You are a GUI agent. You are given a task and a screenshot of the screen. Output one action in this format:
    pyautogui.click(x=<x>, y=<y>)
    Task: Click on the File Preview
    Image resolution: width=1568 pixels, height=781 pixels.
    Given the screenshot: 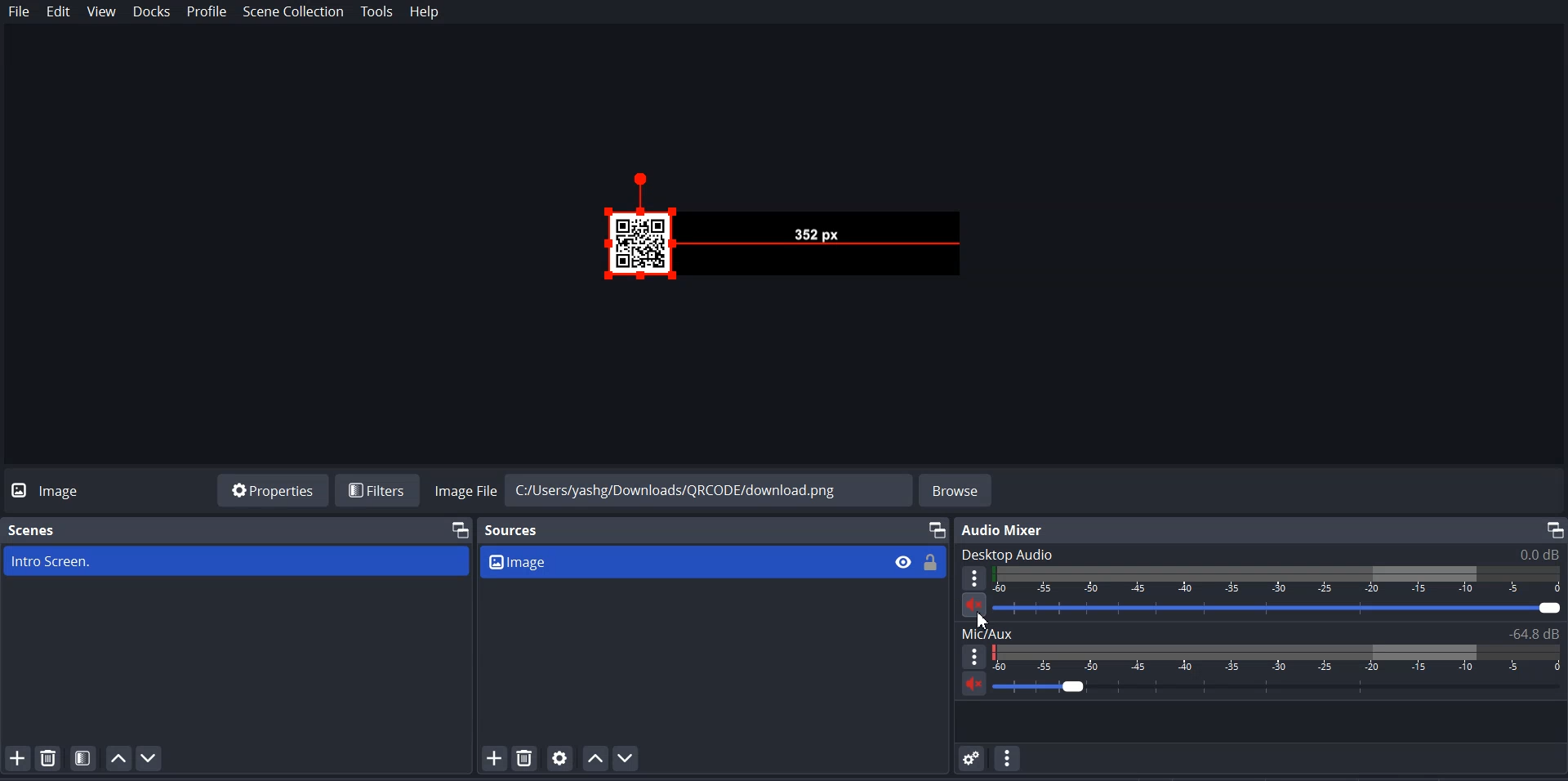 What is the action you would take?
    pyautogui.click(x=817, y=234)
    